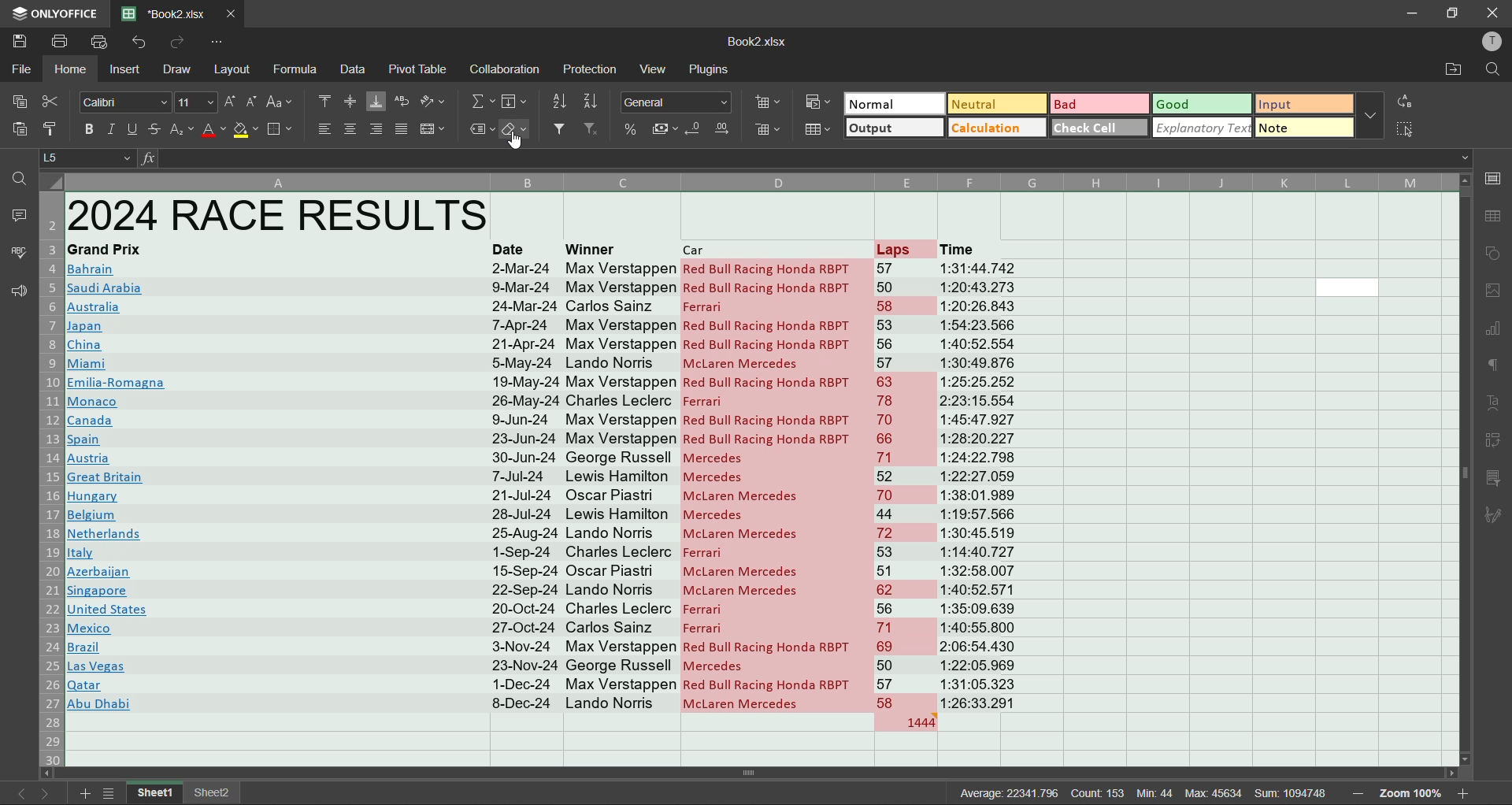  I want to click on calculation, so click(995, 128).